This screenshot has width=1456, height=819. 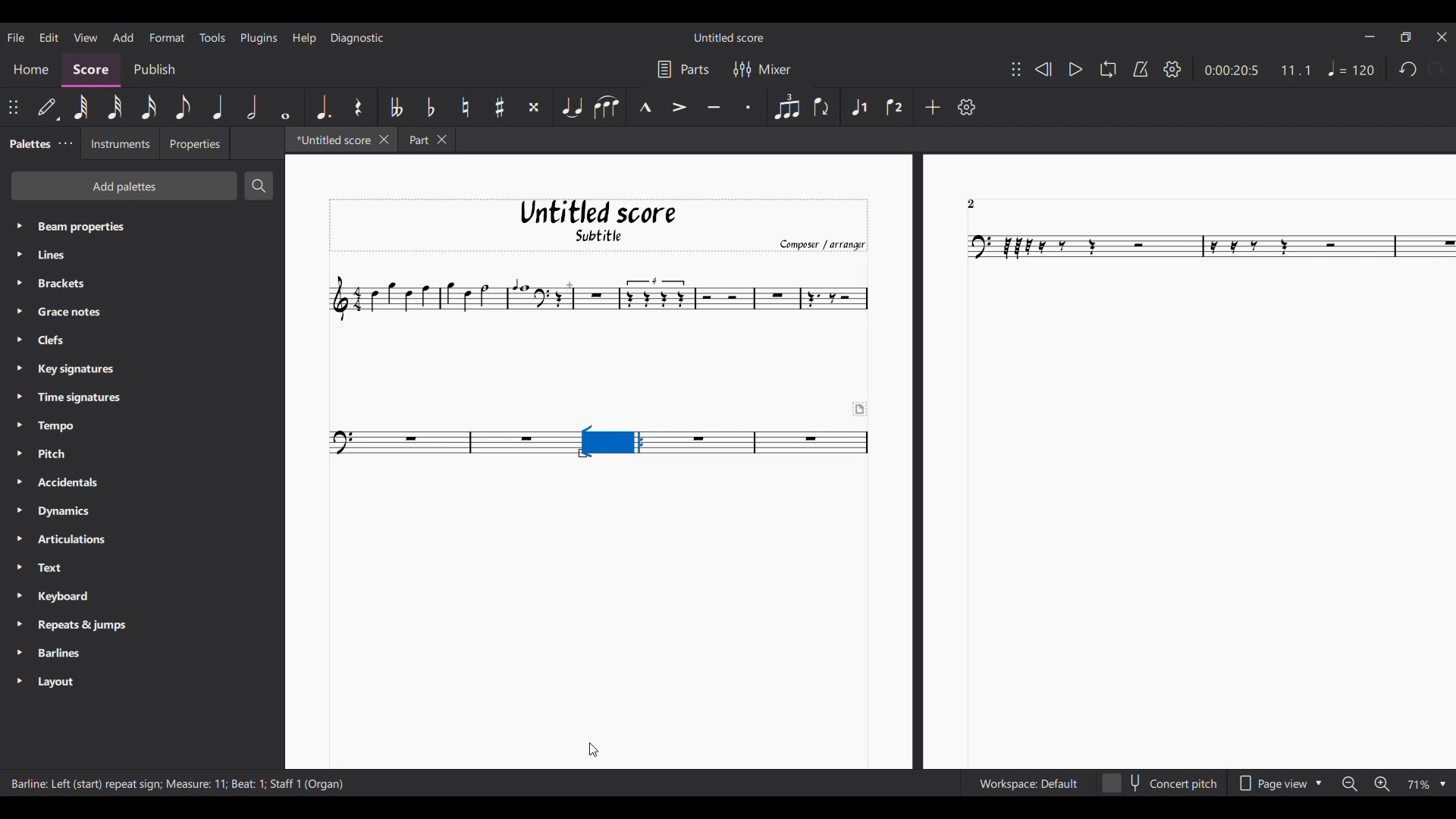 I want to click on Toggle double flat, so click(x=394, y=107).